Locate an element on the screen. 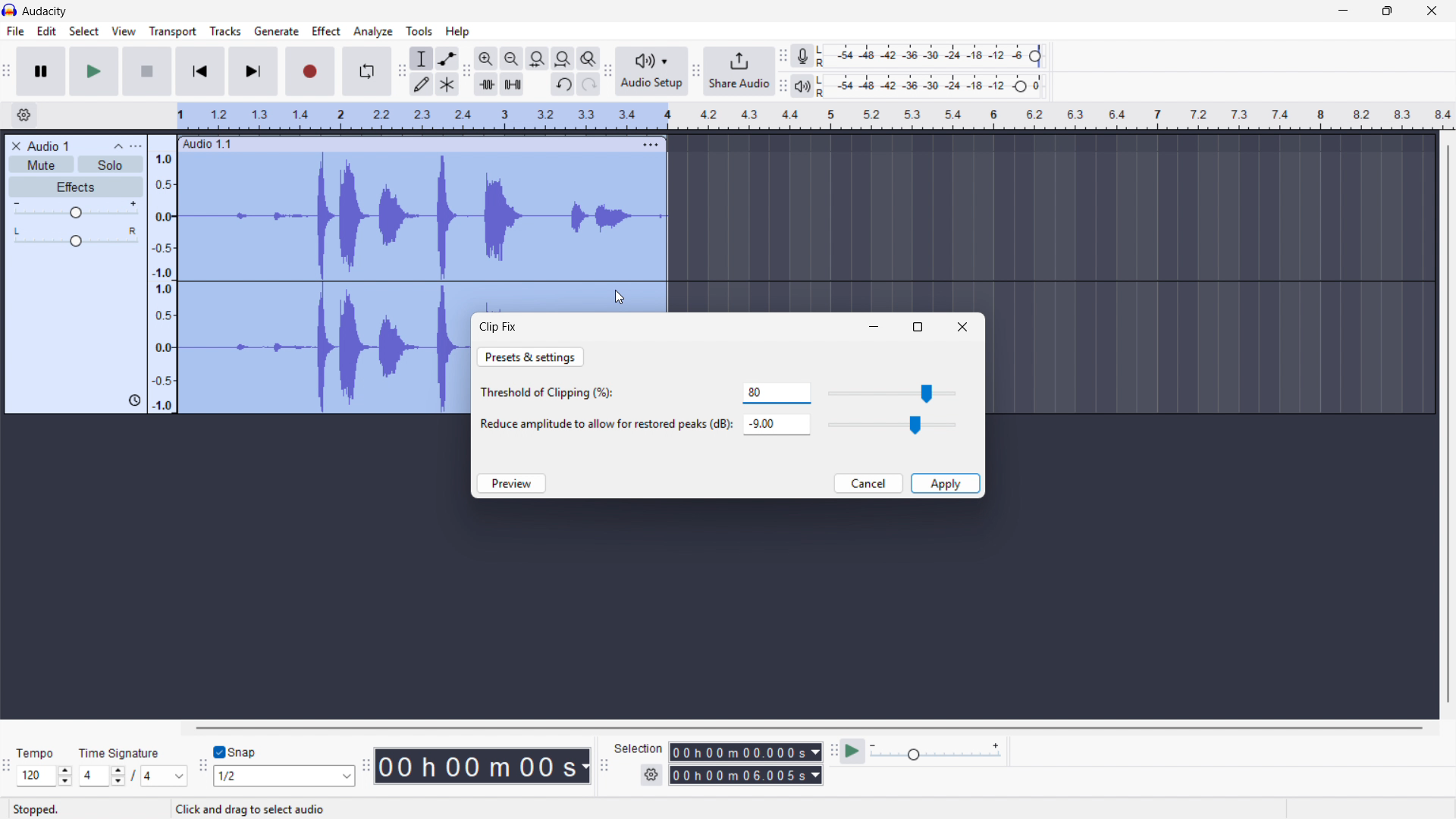 The width and height of the screenshot is (1456, 819). reduce amplitude to allow for restored peaks (dB) is located at coordinates (604, 425).